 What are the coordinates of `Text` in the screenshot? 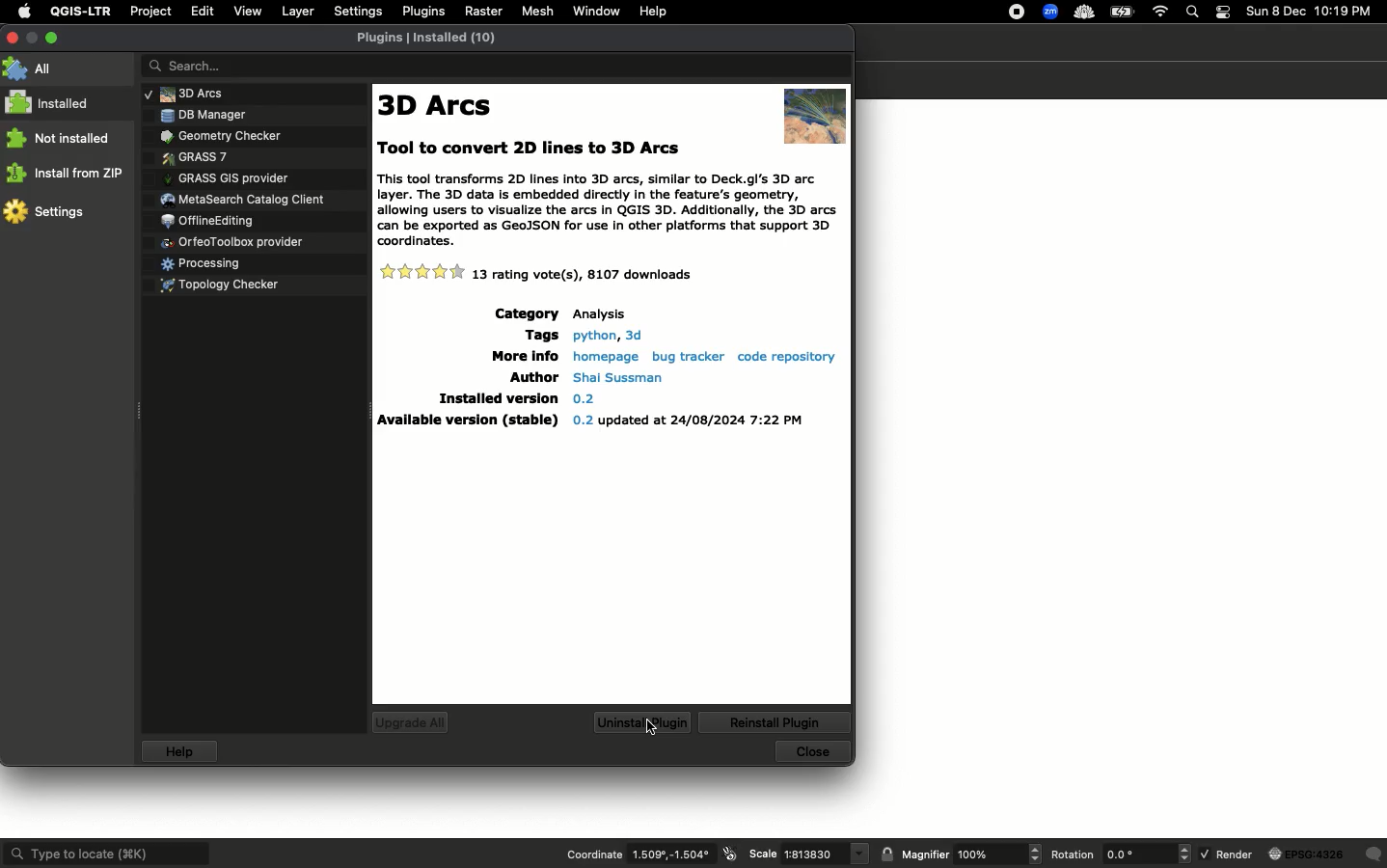 It's located at (606, 190).